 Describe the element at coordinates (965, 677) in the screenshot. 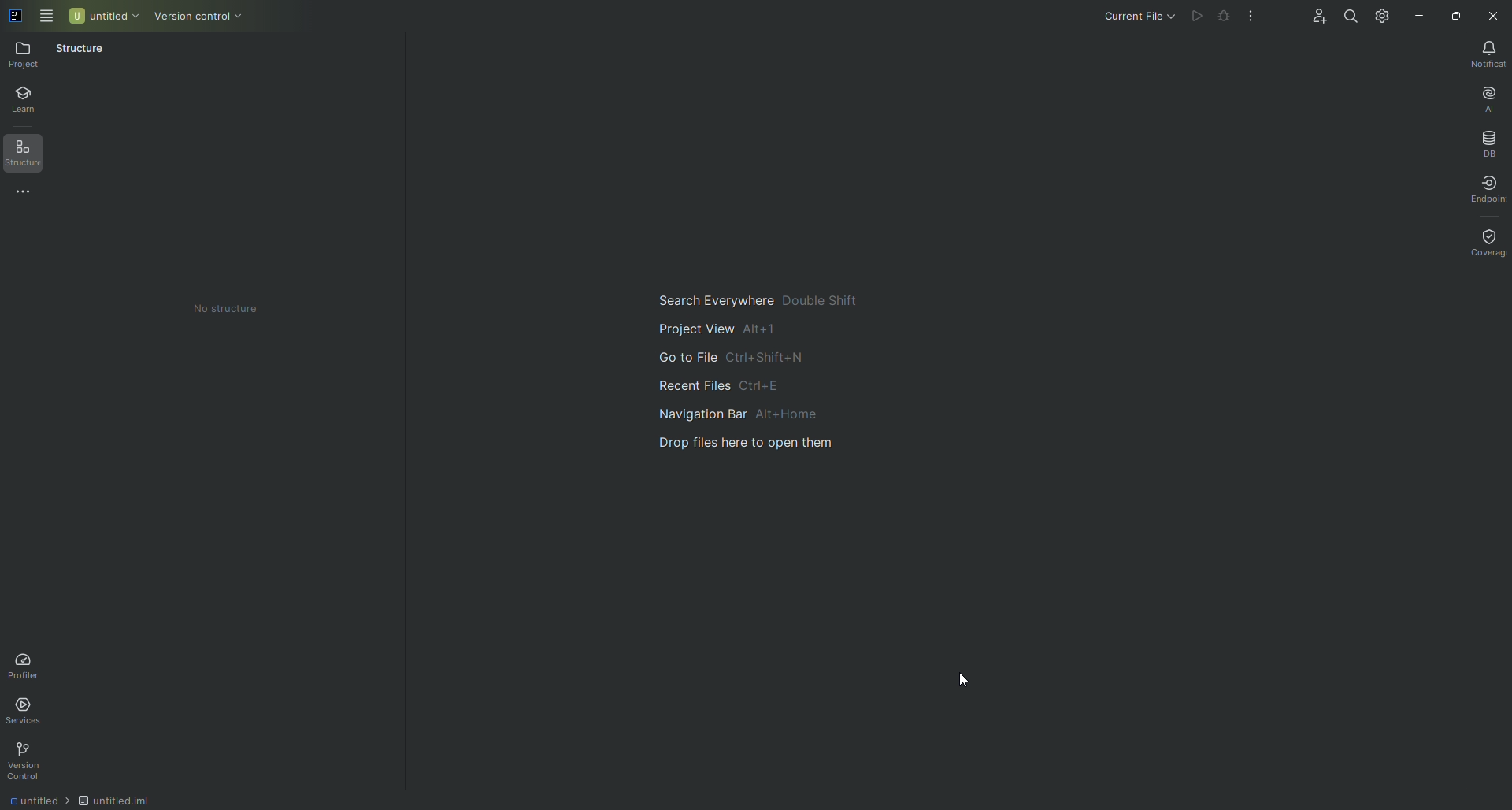

I see `Cursor` at that location.